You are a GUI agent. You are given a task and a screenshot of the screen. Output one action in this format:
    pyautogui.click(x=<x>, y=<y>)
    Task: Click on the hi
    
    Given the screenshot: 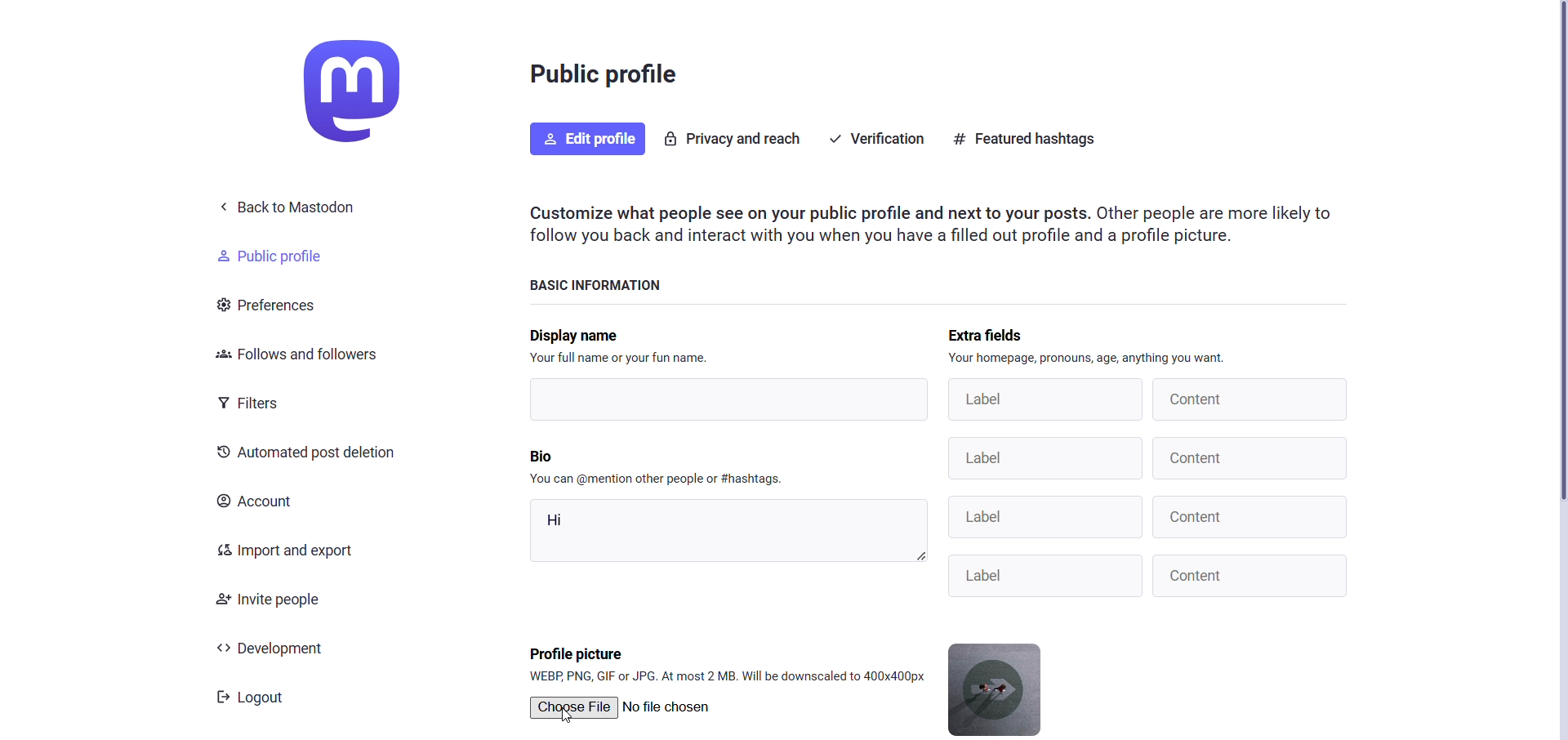 What is the action you would take?
    pyautogui.click(x=727, y=530)
    